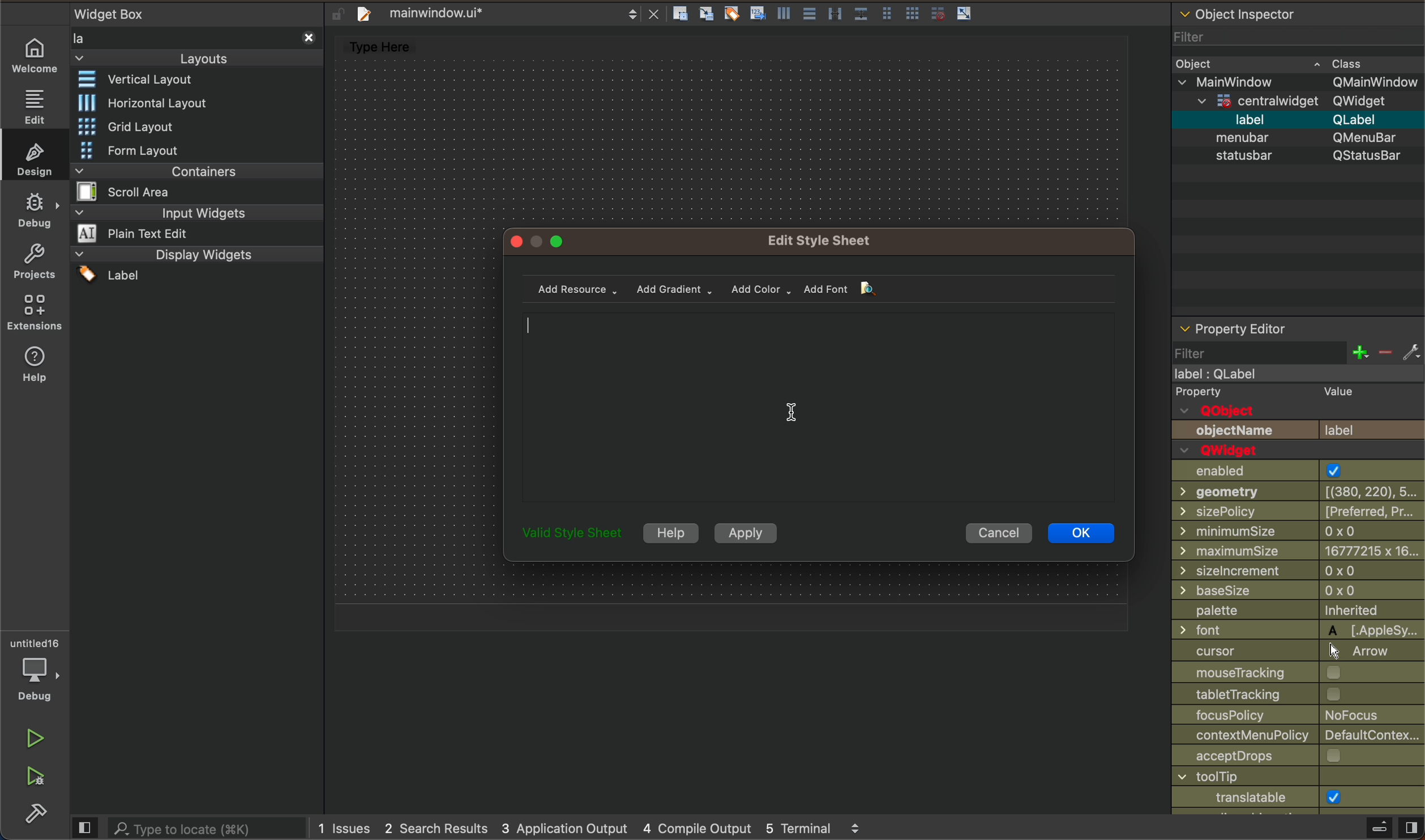 The width and height of the screenshot is (1425, 840). Describe the element at coordinates (38, 158) in the screenshot. I see `design` at that location.